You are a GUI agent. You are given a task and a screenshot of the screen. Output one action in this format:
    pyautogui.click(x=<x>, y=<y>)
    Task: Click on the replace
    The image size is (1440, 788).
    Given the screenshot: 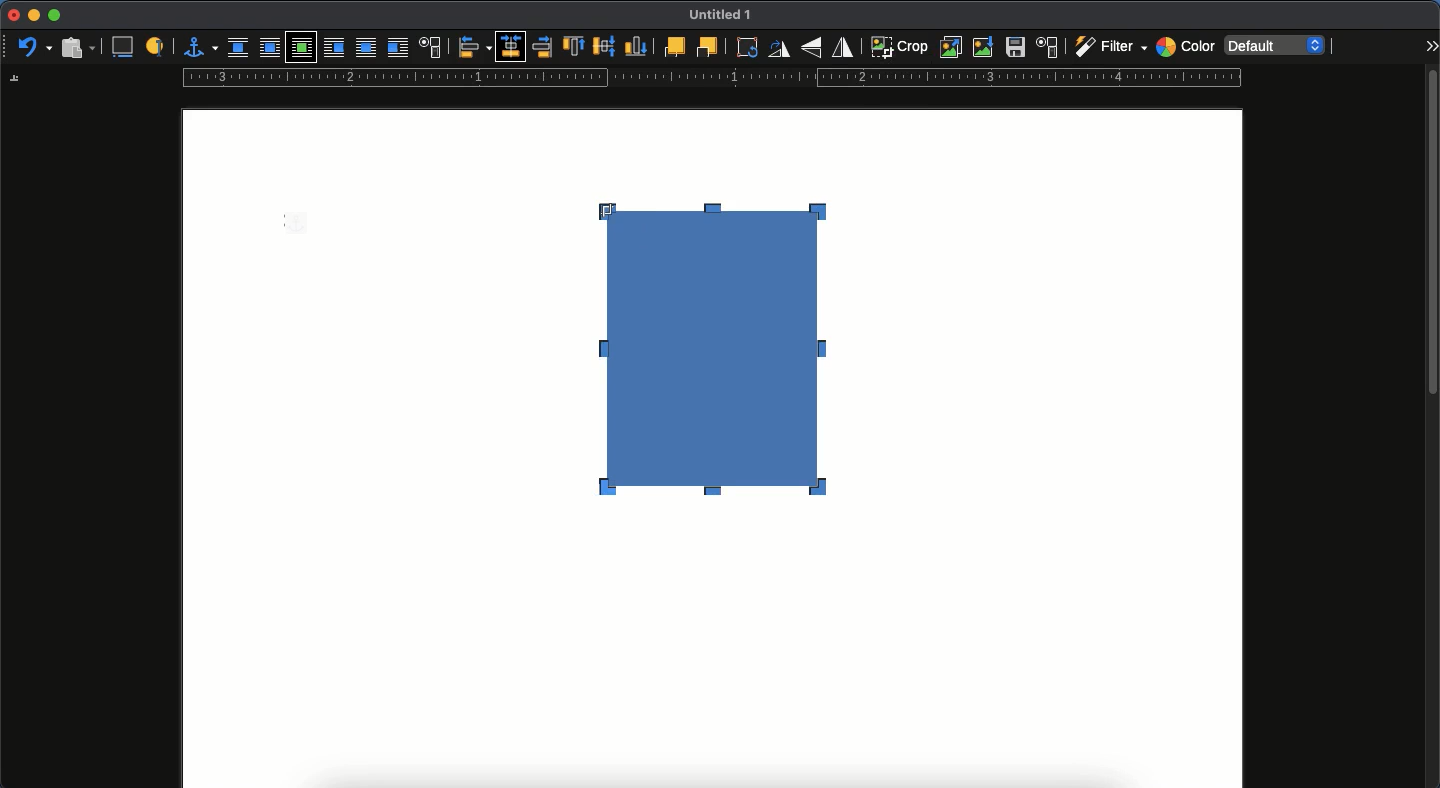 What is the action you would take?
    pyautogui.click(x=952, y=47)
    